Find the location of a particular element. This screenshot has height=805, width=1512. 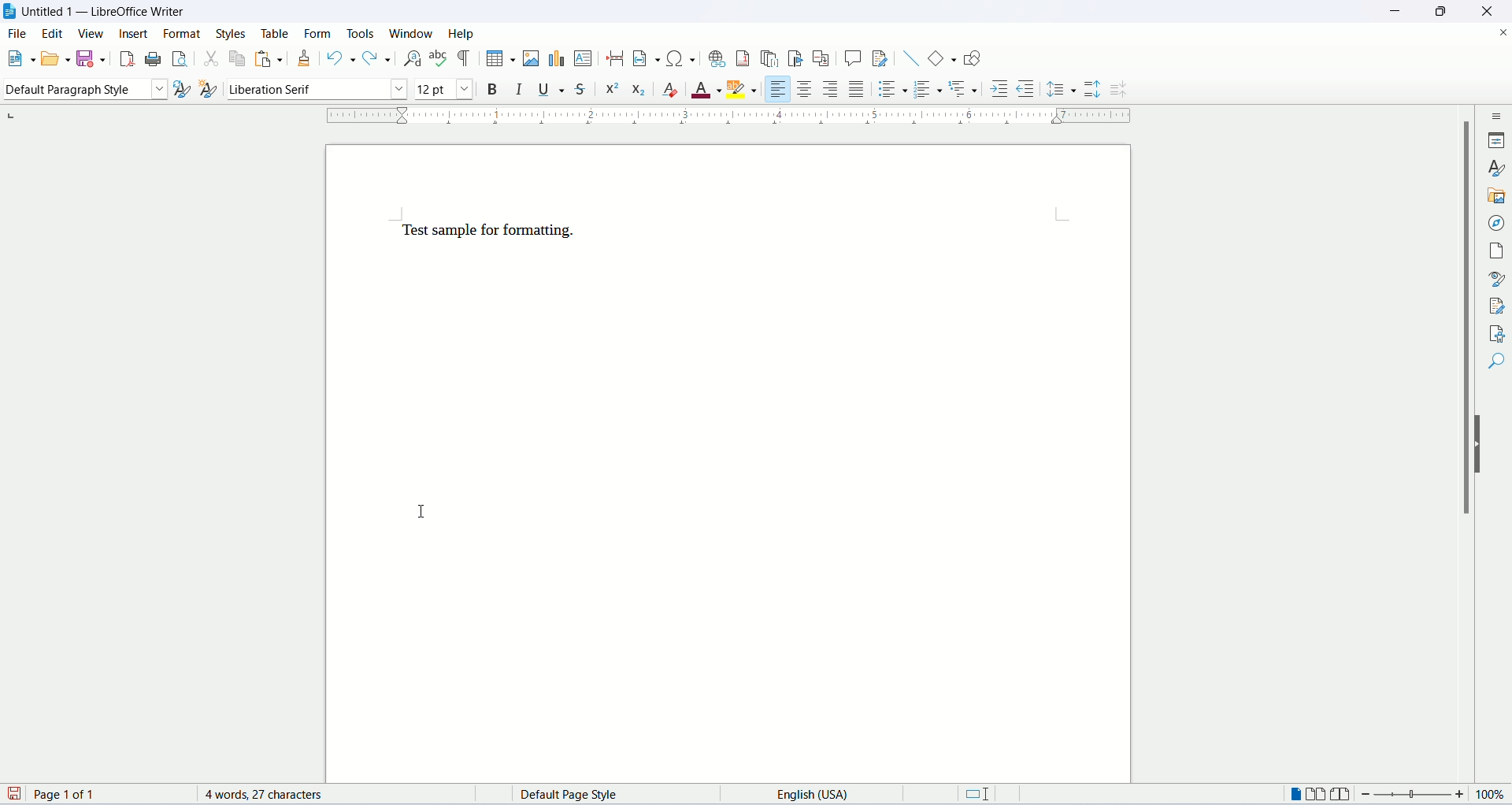

mark formatting is located at coordinates (465, 58).